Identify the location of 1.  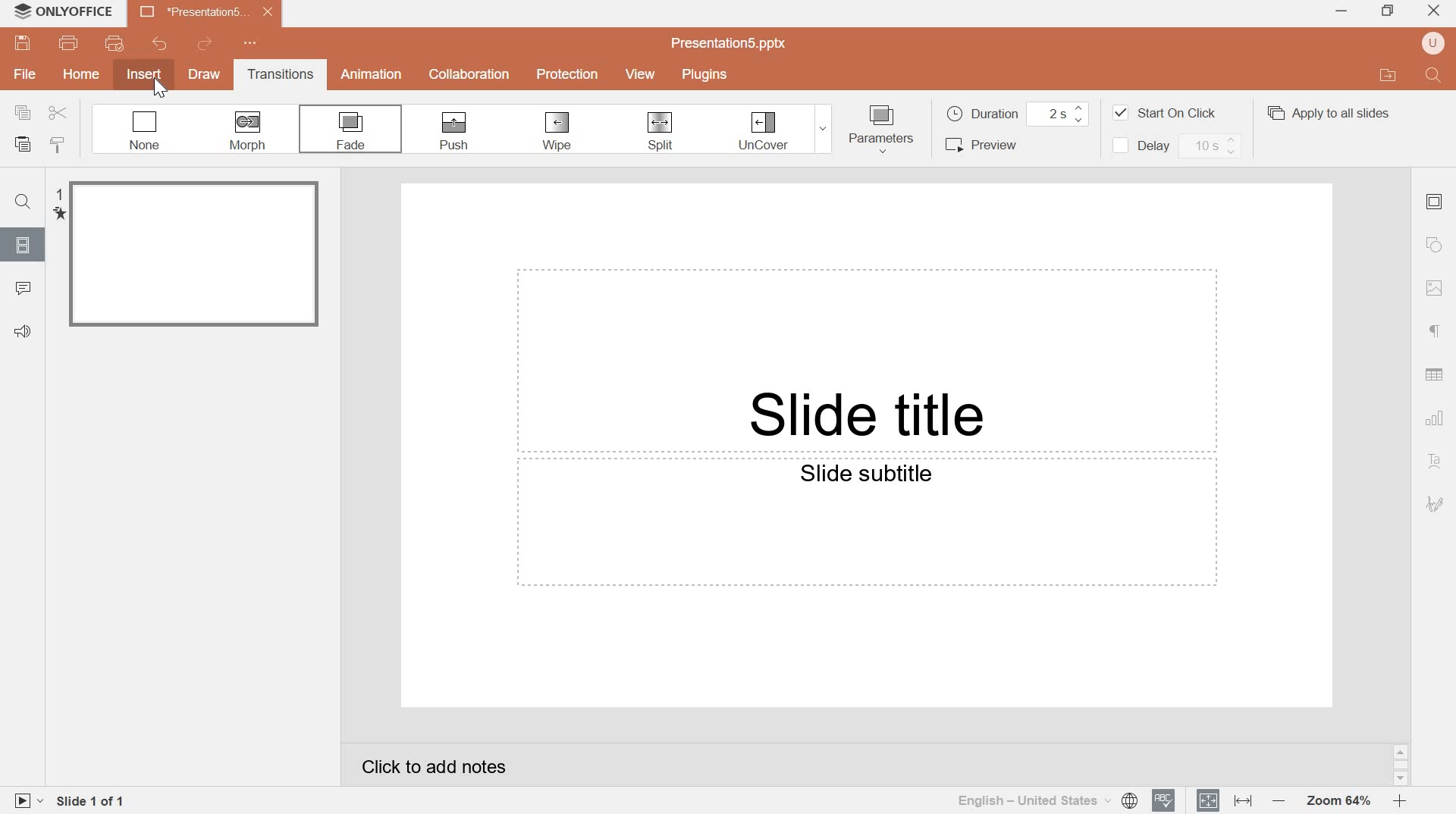
(58, 193).